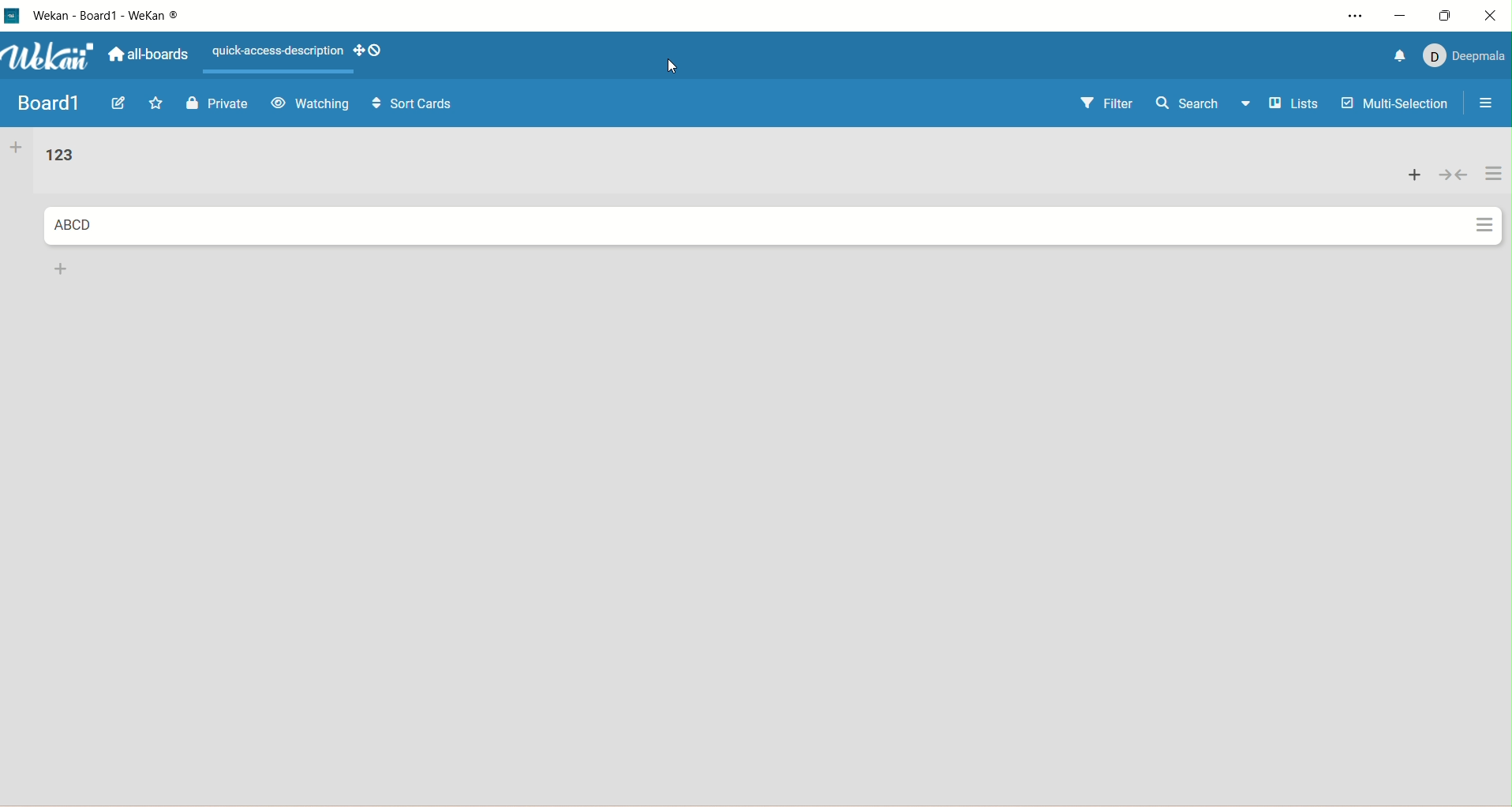 The image size is (1512, 807). I want to click on maximize, so click(1450, 14).